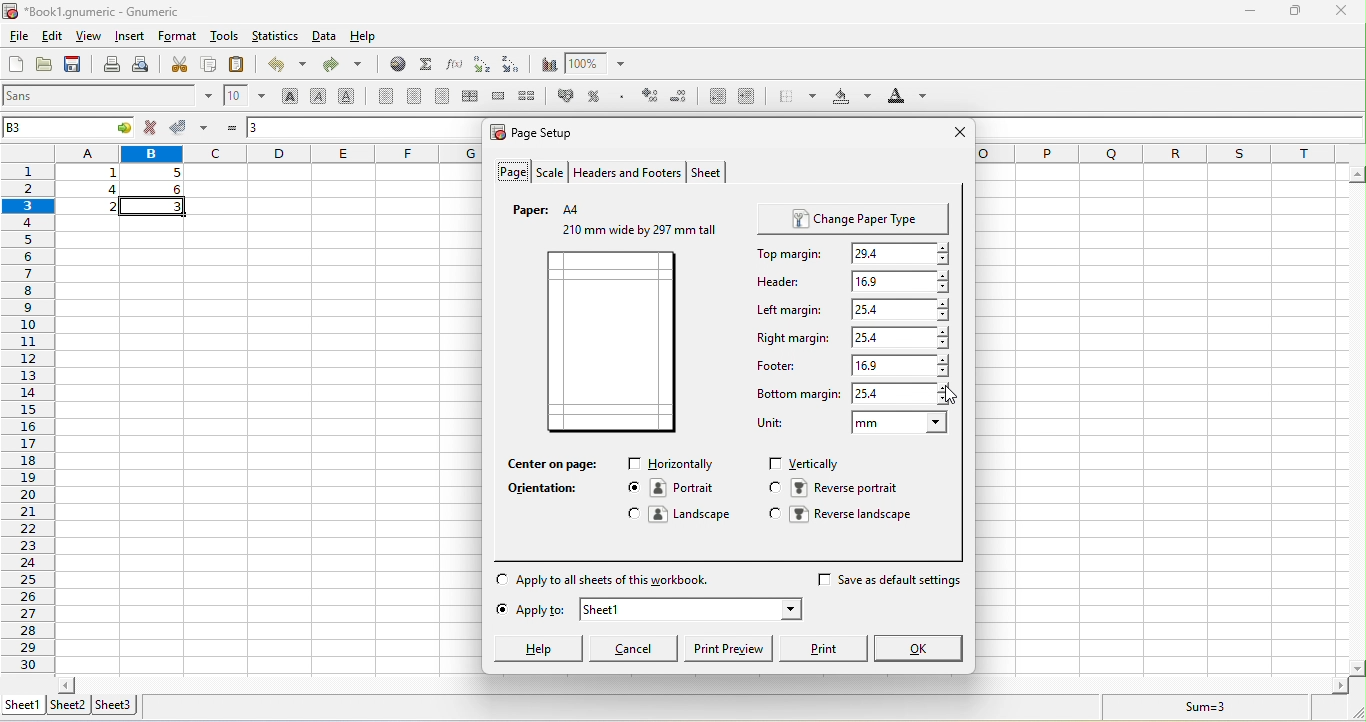 This screenshot has width=1366, height=722. I want to click on bottom mergine, so click(796, 397).